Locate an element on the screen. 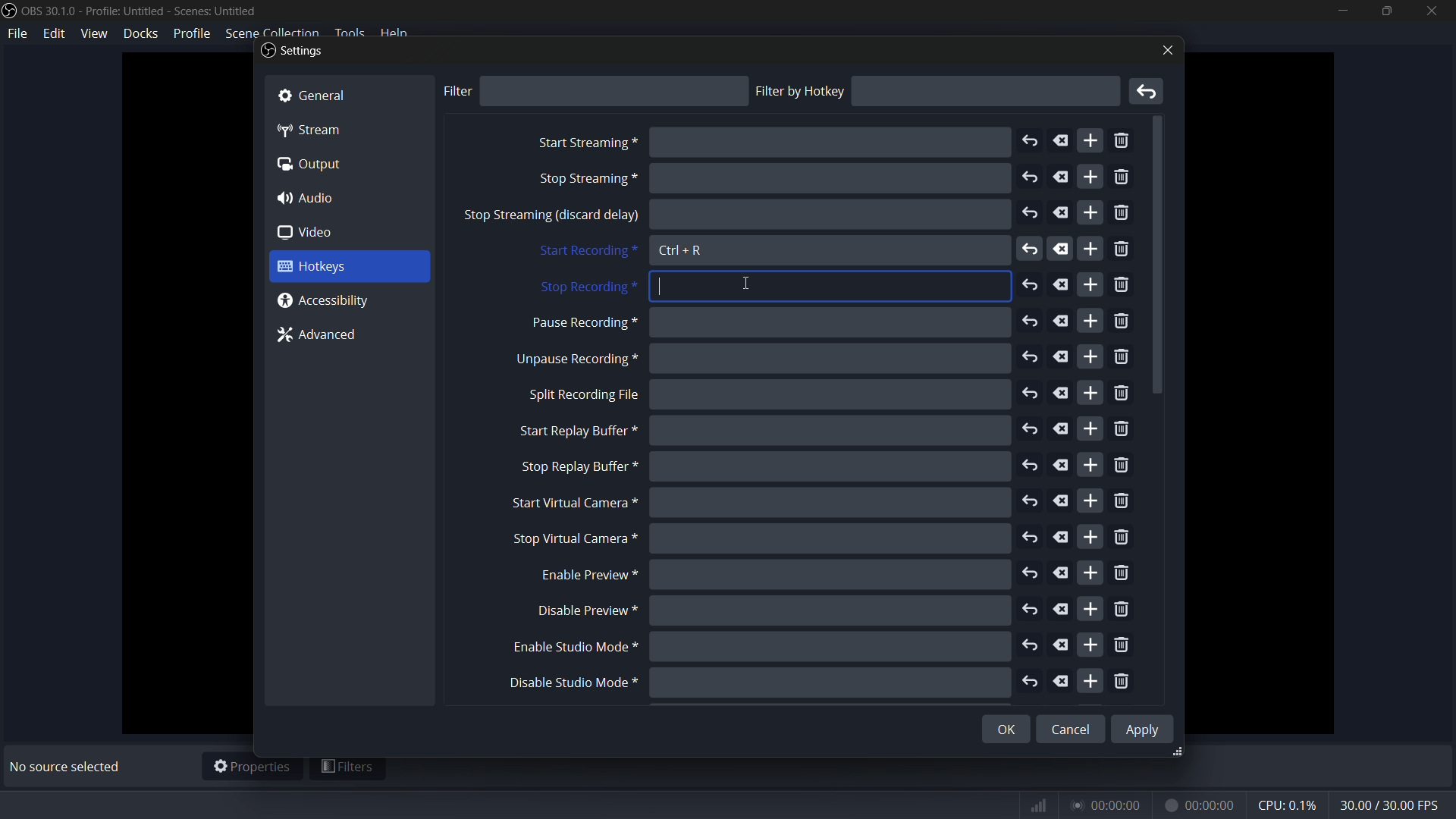 The image size is (1456, 819). remove is located at coordinates (1149, 92).